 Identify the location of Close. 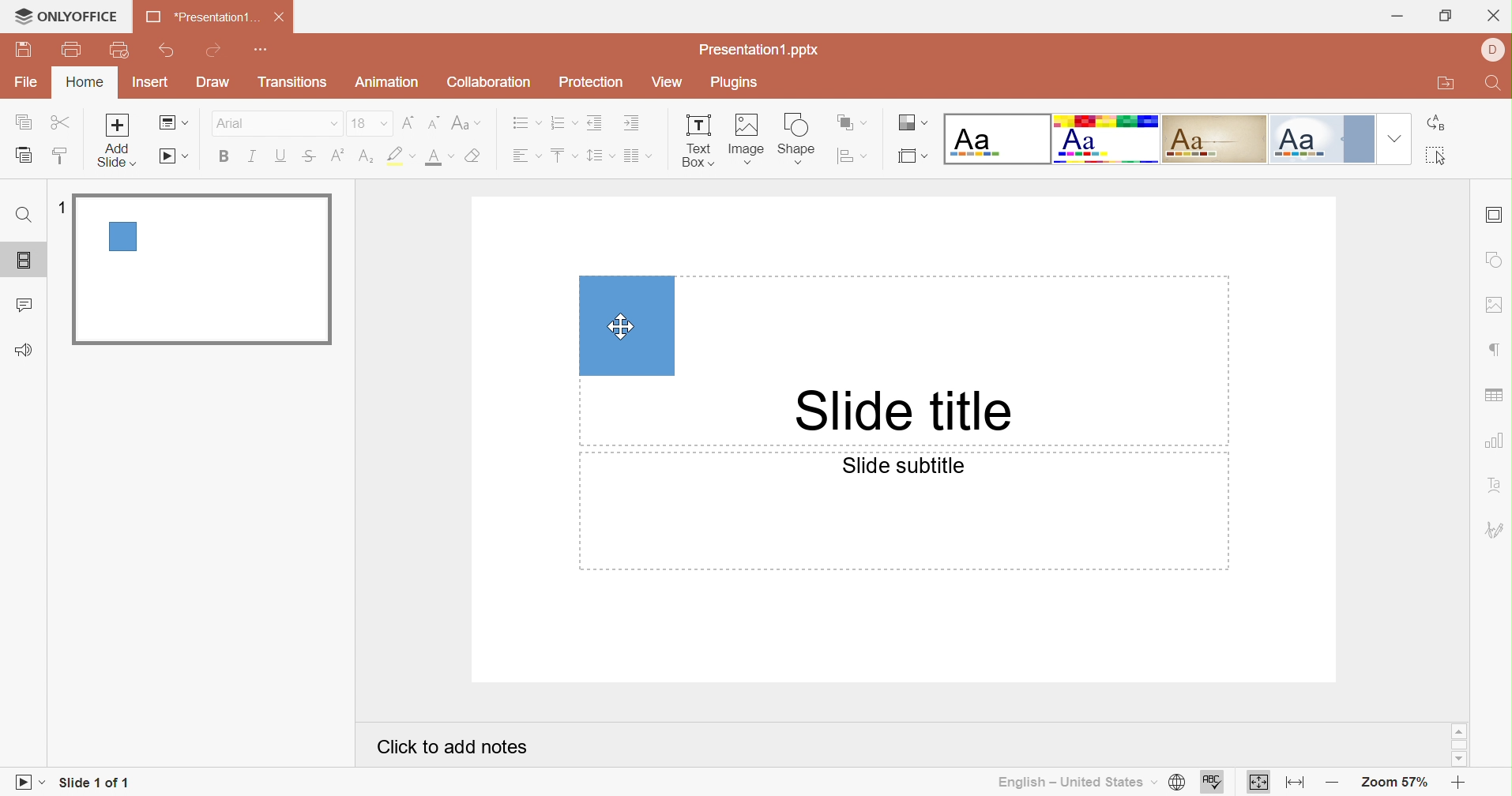
(1494, 17).